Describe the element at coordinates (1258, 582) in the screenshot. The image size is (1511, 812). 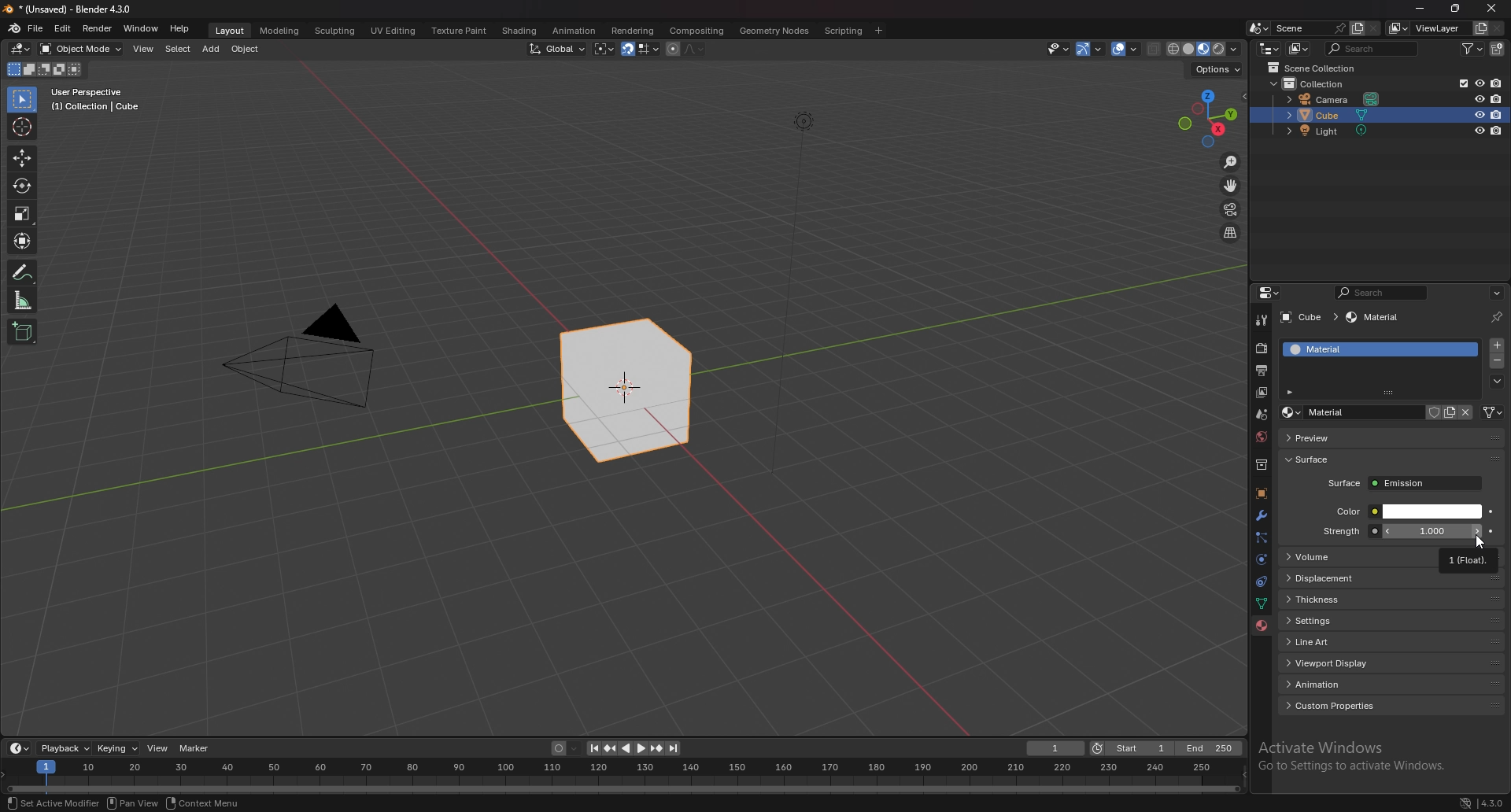
I see `constraints` at that location.